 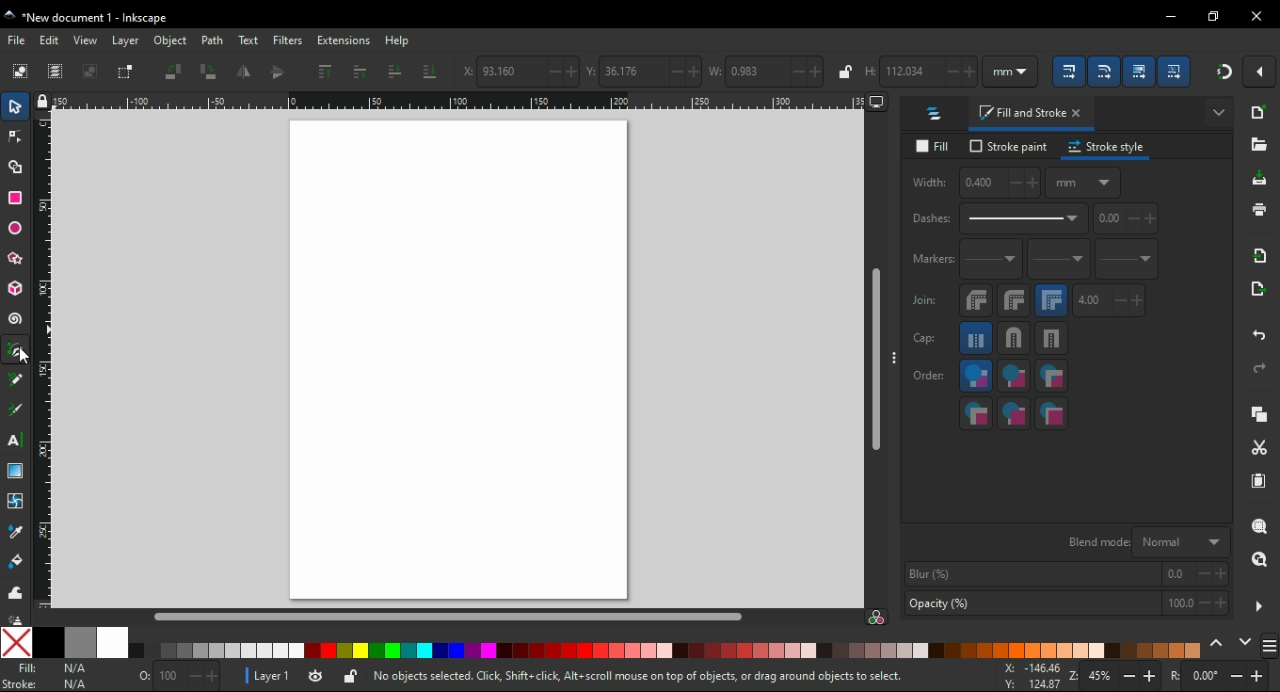 I want to click on color tone pallete, so click(x=875, y=650).